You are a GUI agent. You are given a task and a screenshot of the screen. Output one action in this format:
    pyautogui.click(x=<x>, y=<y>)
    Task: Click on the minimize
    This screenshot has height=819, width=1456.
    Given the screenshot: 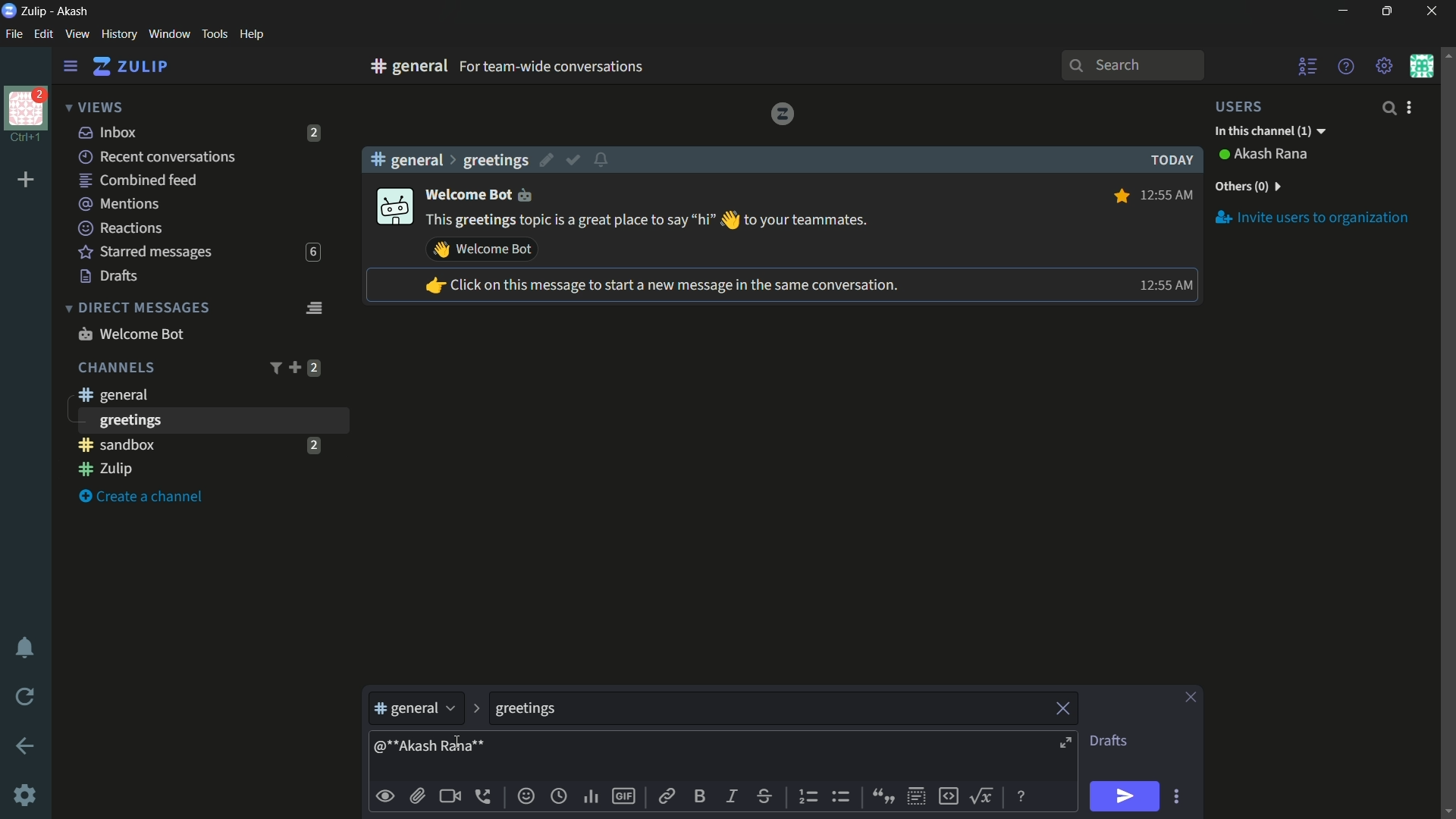 What is the action you would take?
    pyautogui.click(x=1342, y=11)
    